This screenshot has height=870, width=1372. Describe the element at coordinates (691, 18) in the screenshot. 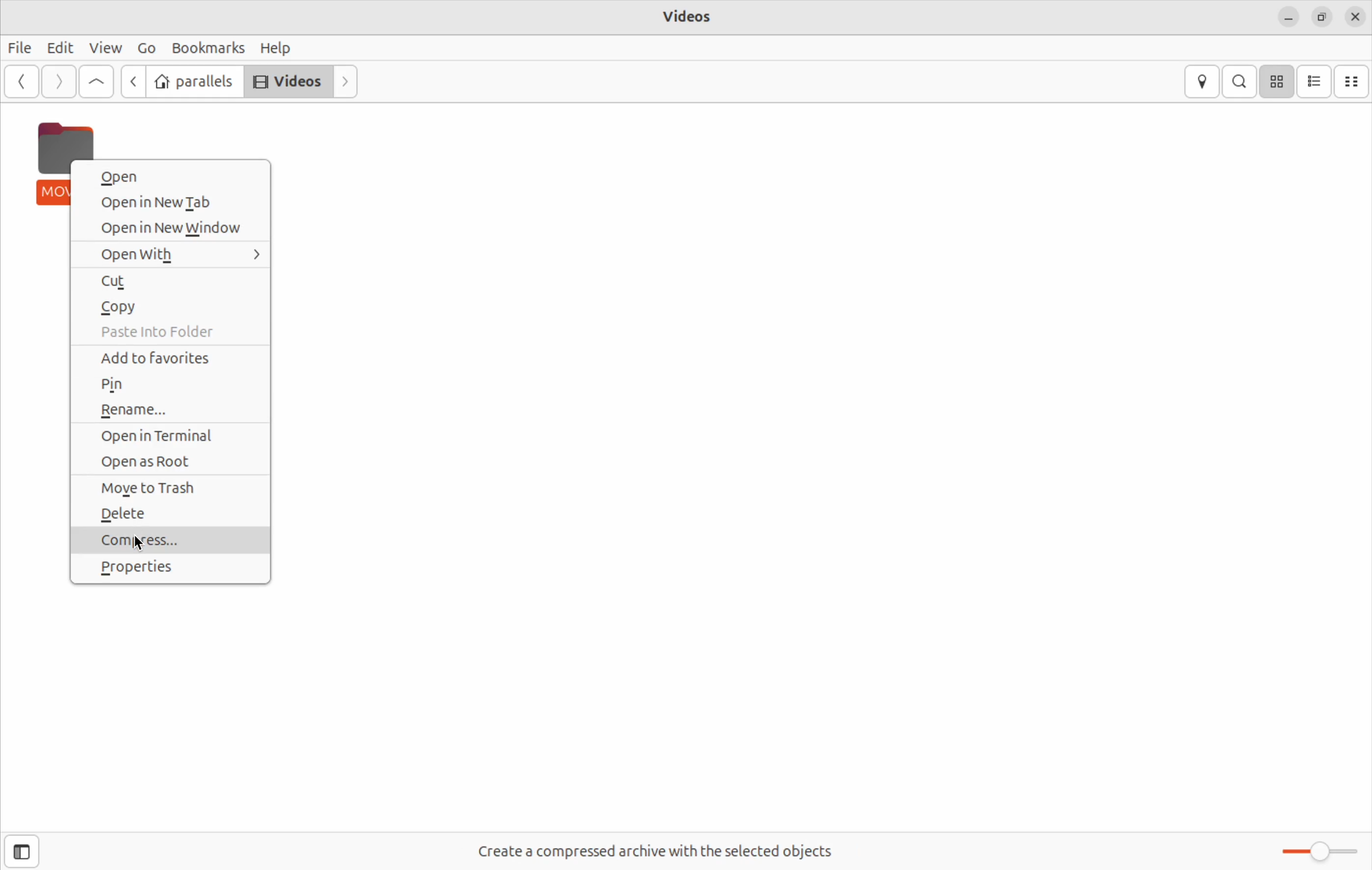

I see `videos` at that location.